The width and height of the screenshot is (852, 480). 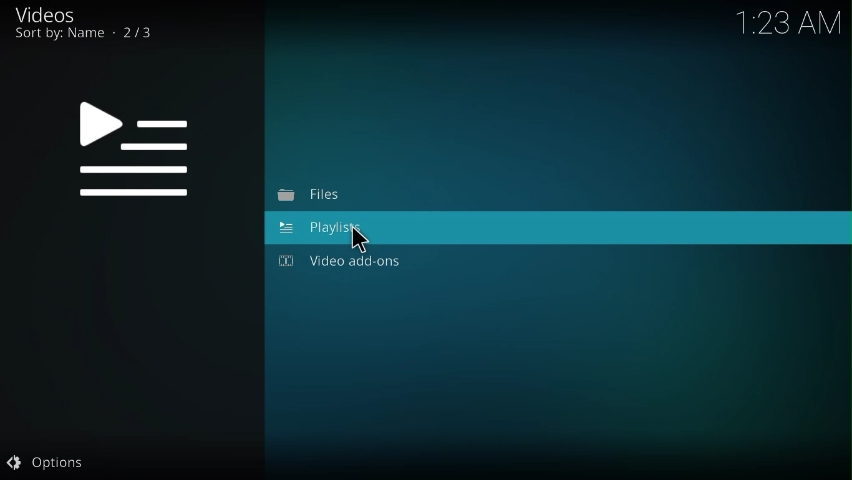 What do you see at coordinates (792, 20) in the screenshot?
I see `time` at bounding box center [792, 20].